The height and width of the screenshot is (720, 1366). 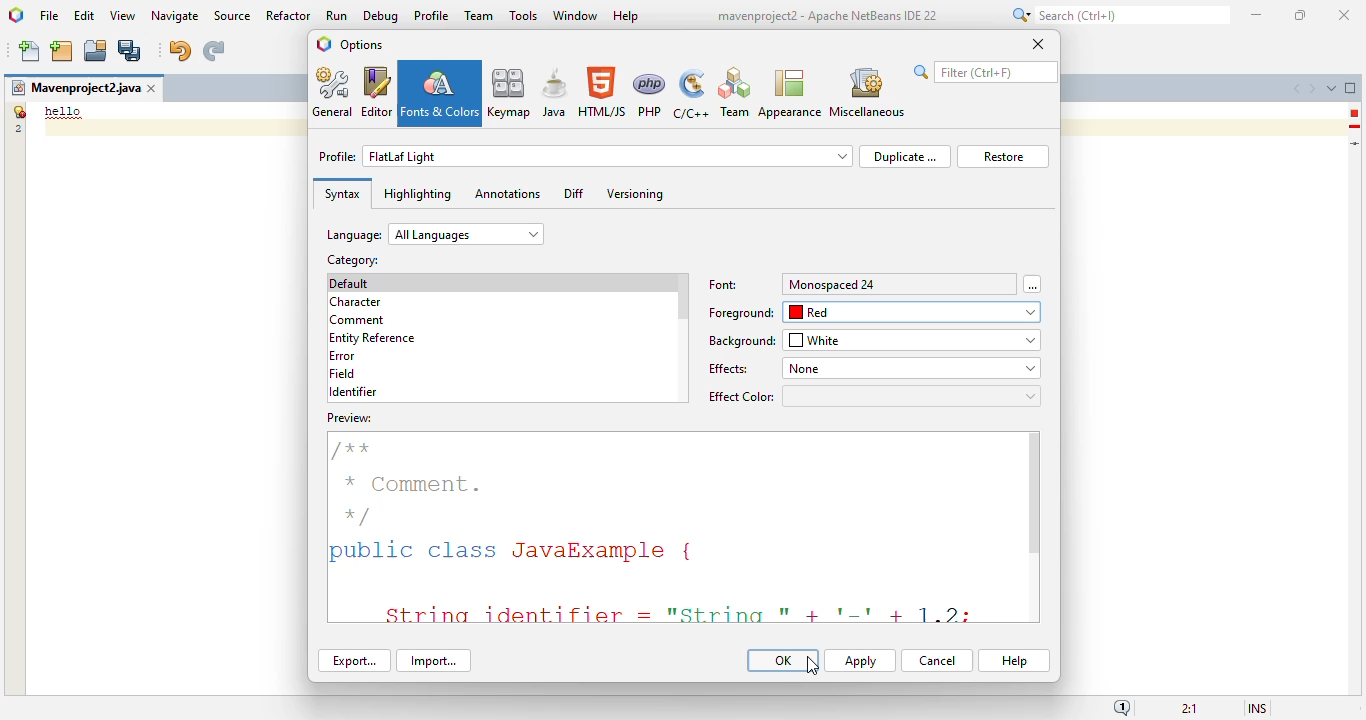 What do you see at coordinates (17, 15) in the screenshot?
I see `logo` at bounding box center [17, 15].